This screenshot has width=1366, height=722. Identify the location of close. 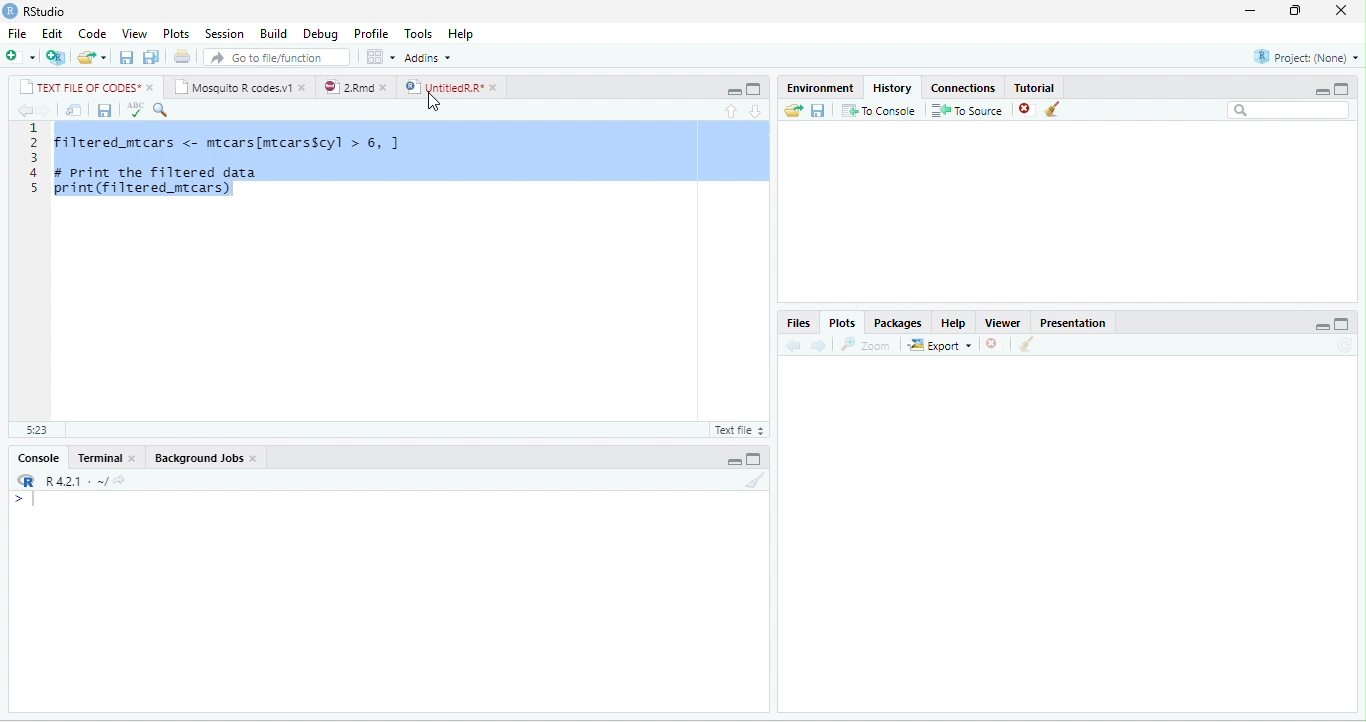
(385, 88).